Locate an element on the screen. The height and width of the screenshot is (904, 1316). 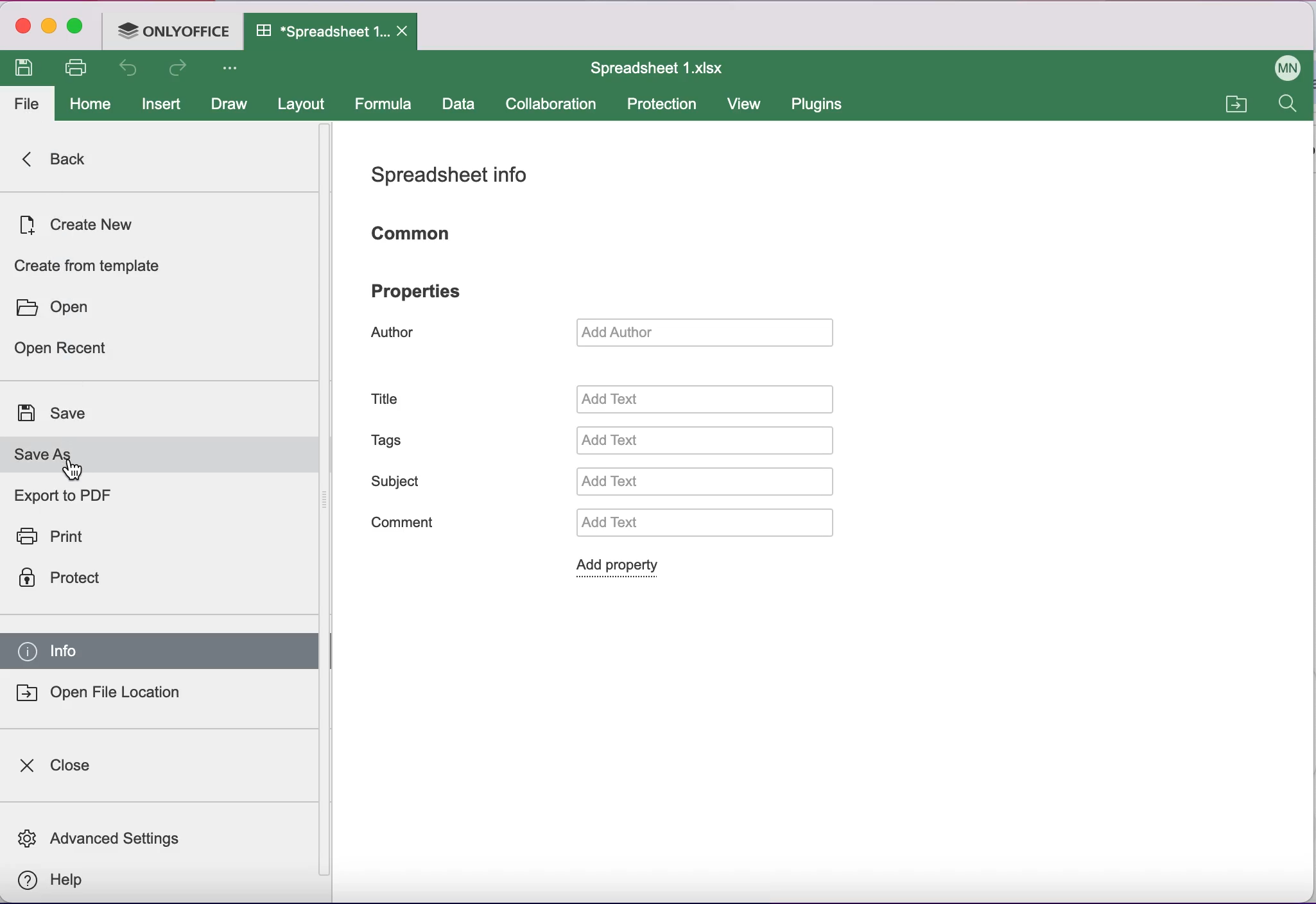
user is located at coordinates (1286, 67).